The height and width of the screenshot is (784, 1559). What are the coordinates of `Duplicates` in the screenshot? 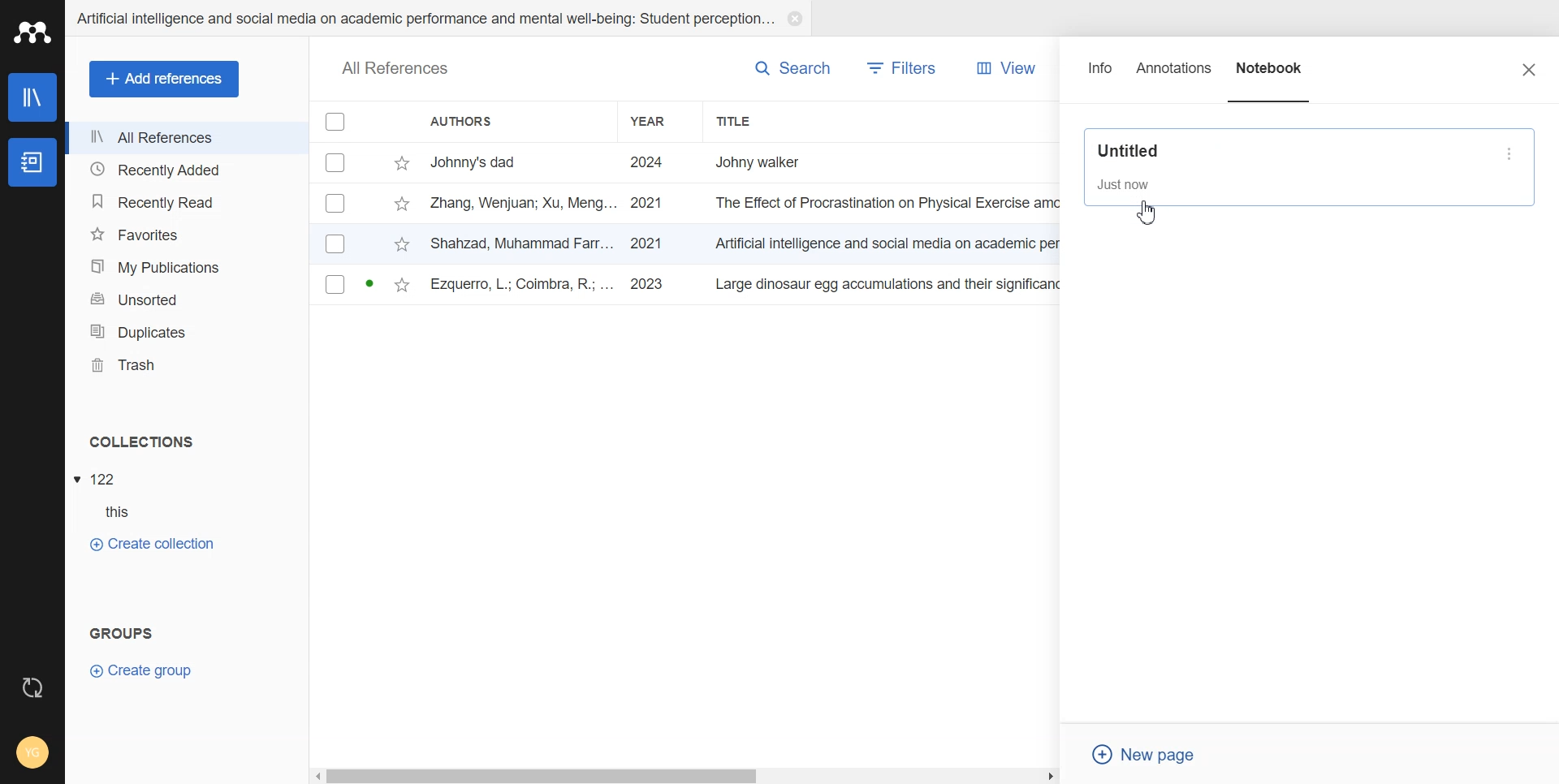 It's located at (186, 332).